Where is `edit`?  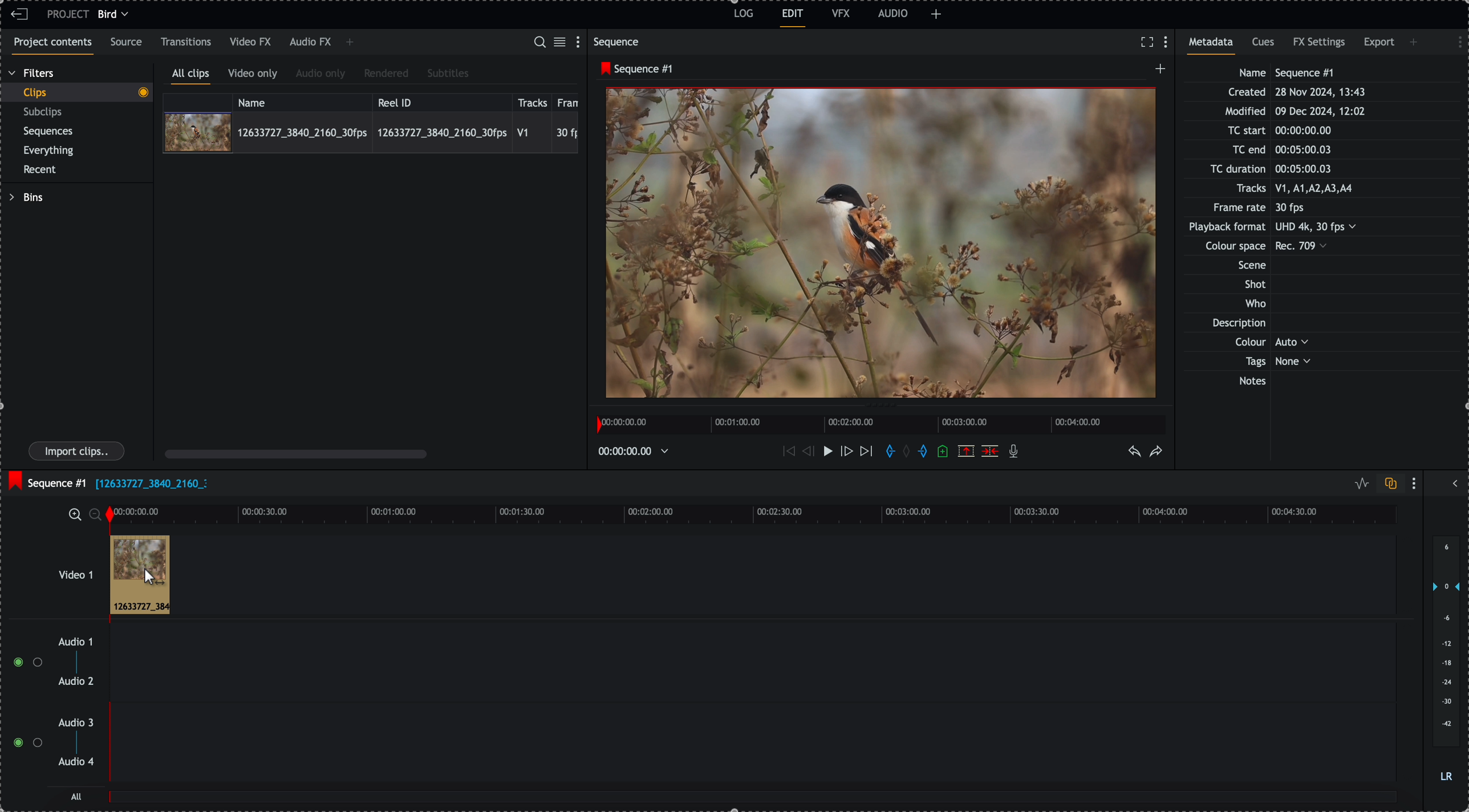
edit is located at coordinates (793, 18).